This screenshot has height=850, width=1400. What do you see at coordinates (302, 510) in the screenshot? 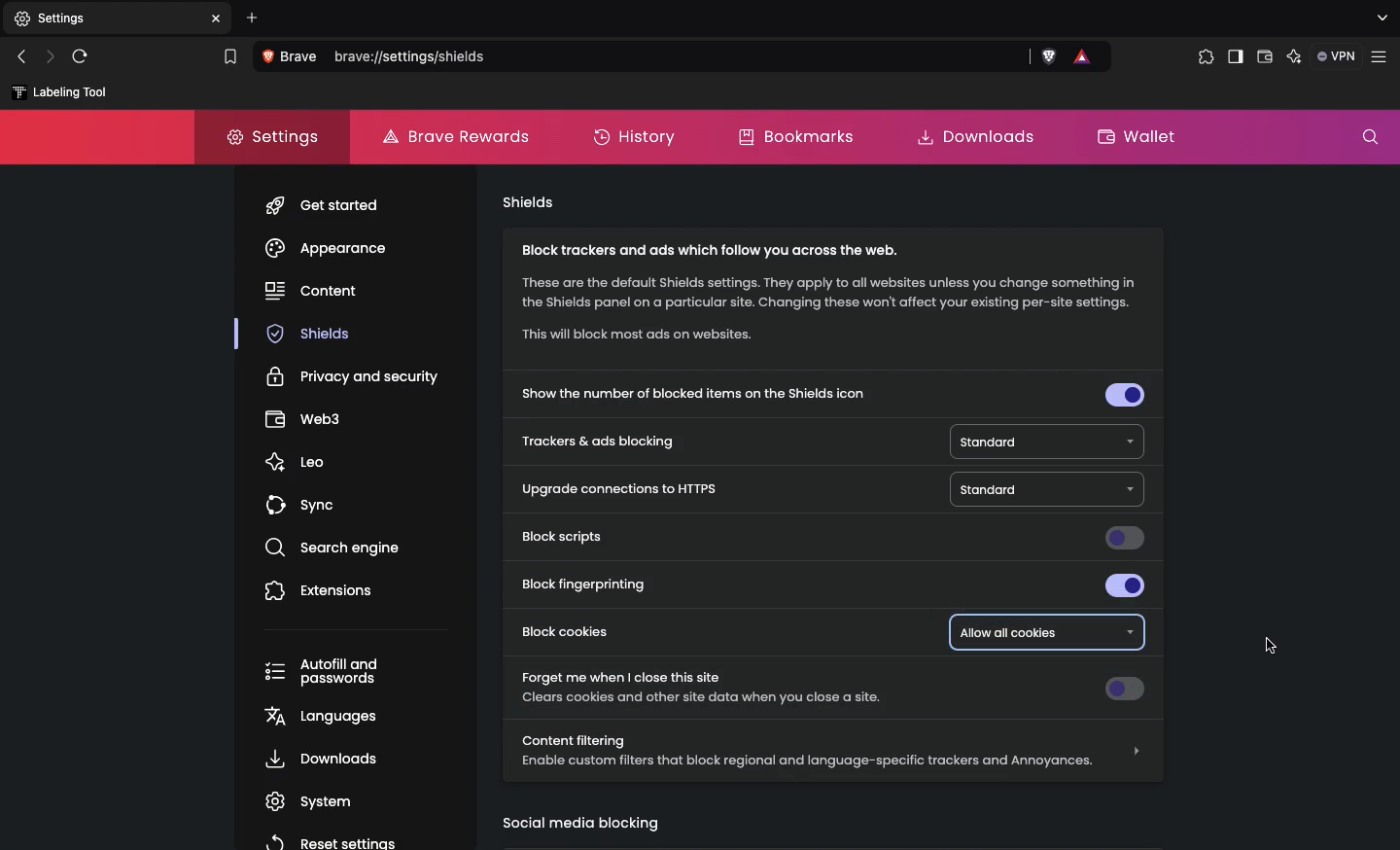
I see `sync` at bounding box center [302, 510].